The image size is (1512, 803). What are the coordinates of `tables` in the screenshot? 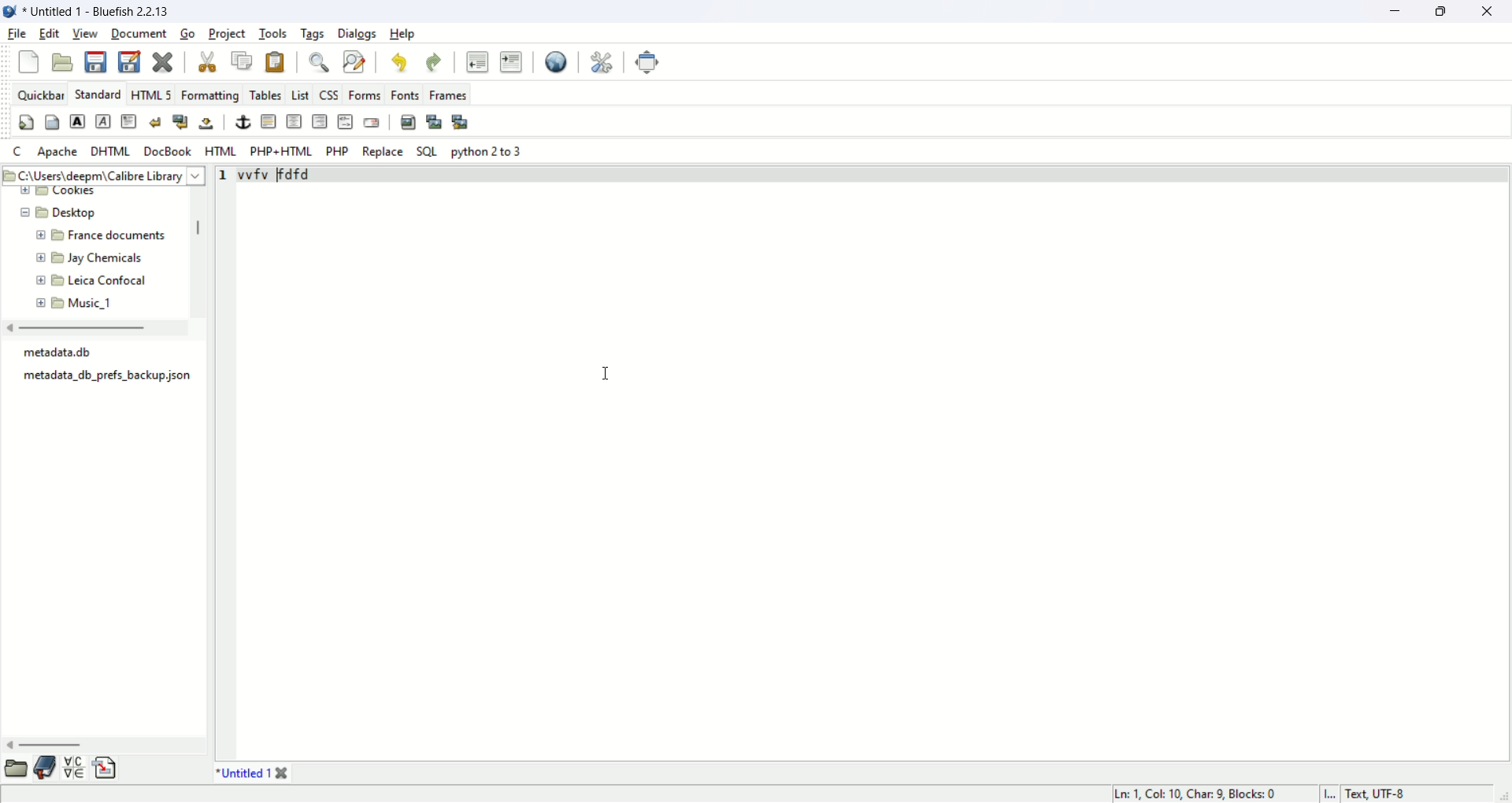 It's located at (265, 94).